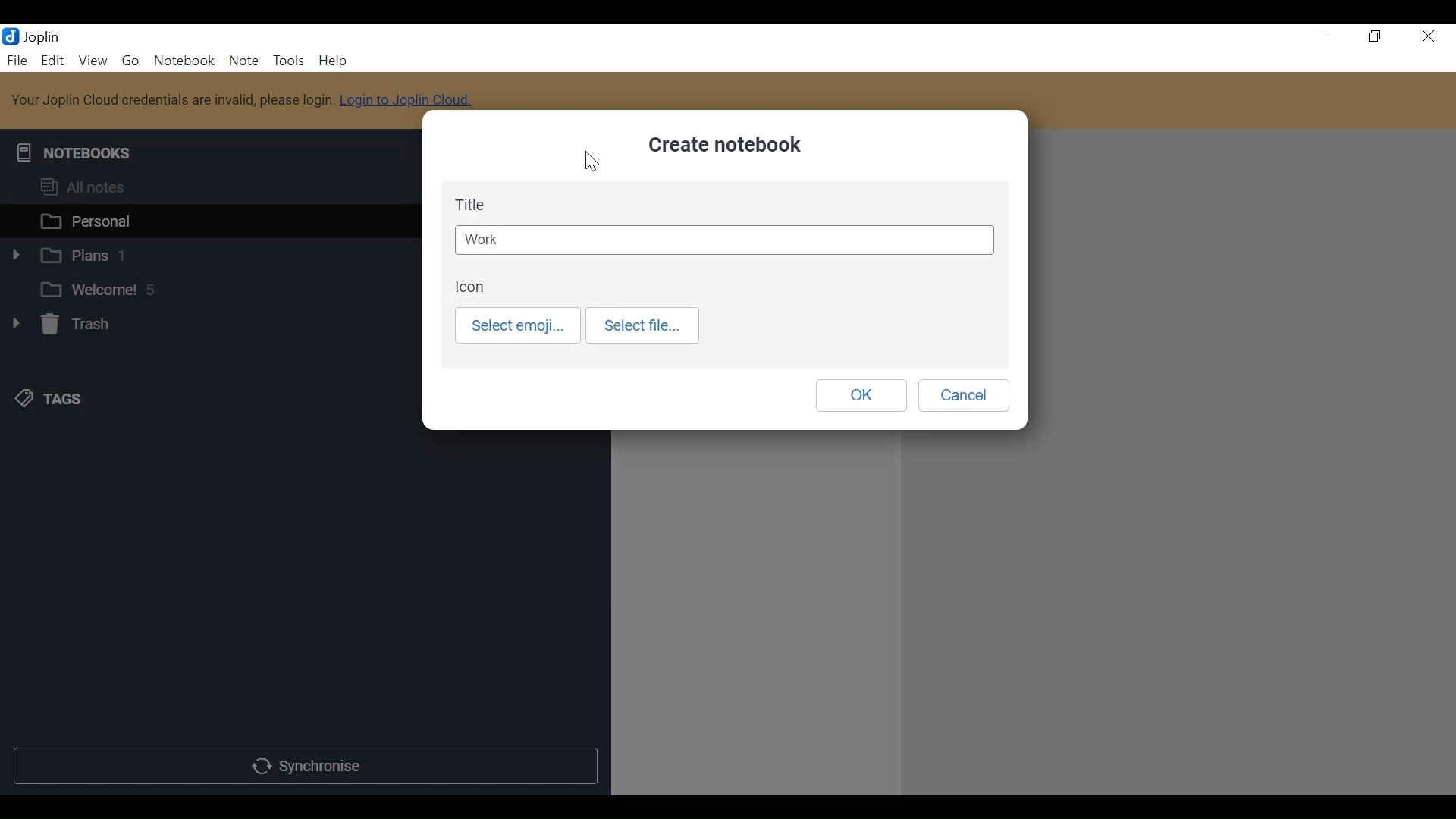 This screenshot has height=819, width=1456. What do you see at coordinates (11, 37) in the screenshot?
I see `Joplin Desktop Icon` at bounding box center [11, 37].